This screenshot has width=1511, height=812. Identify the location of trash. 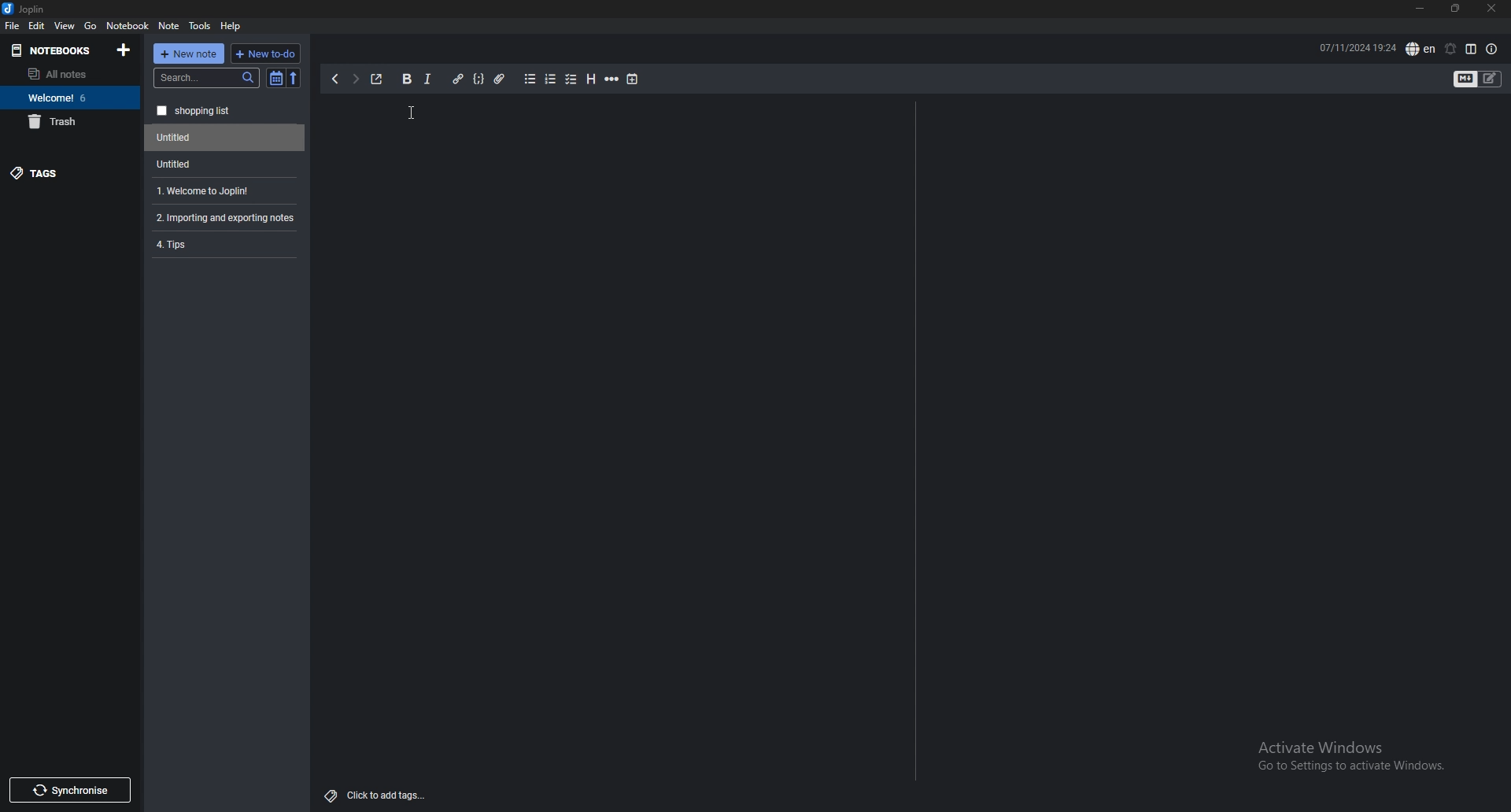
(70, 121).